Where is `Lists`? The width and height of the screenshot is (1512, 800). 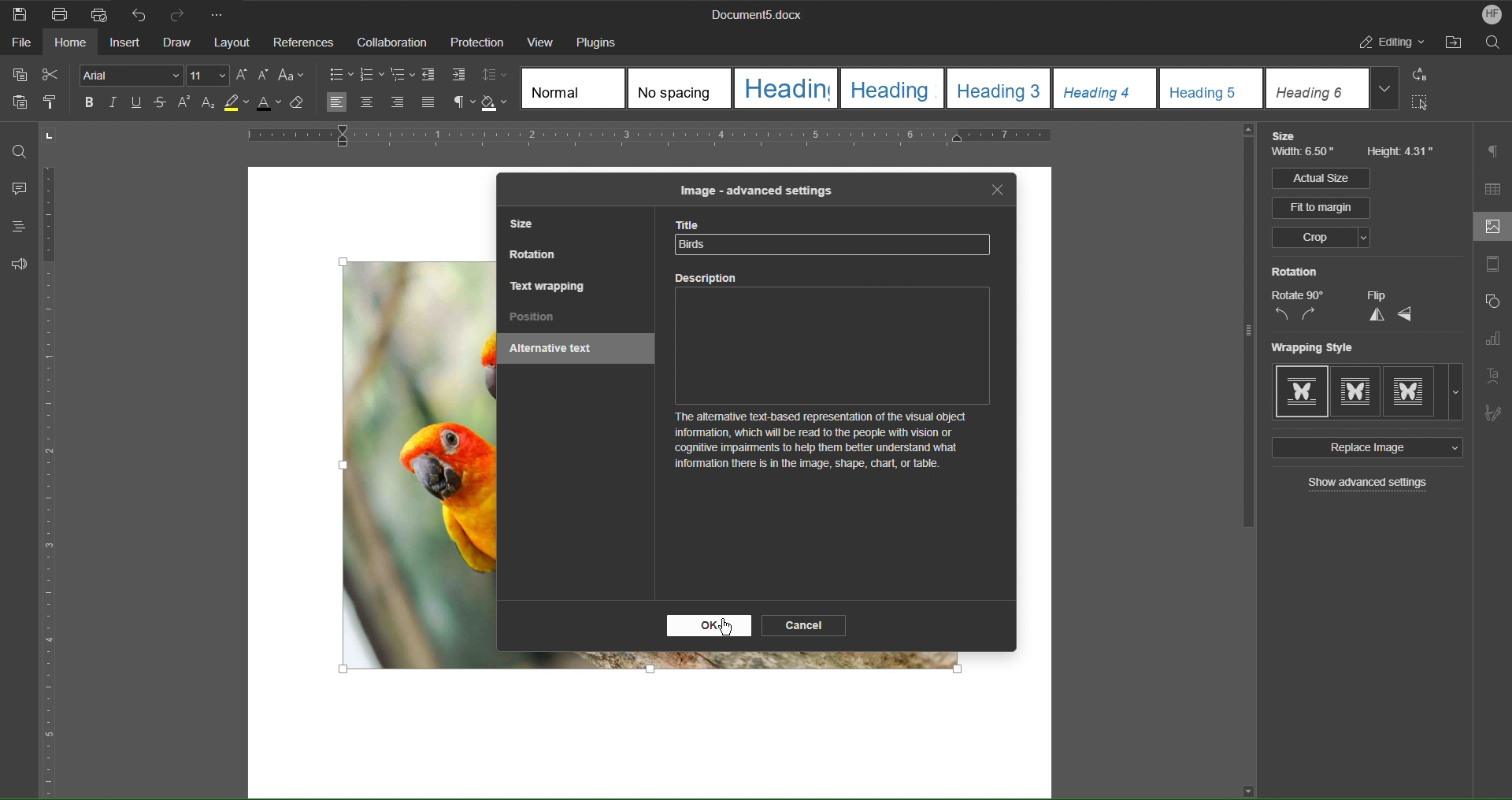 Lists is located at coordinates (372, 74).